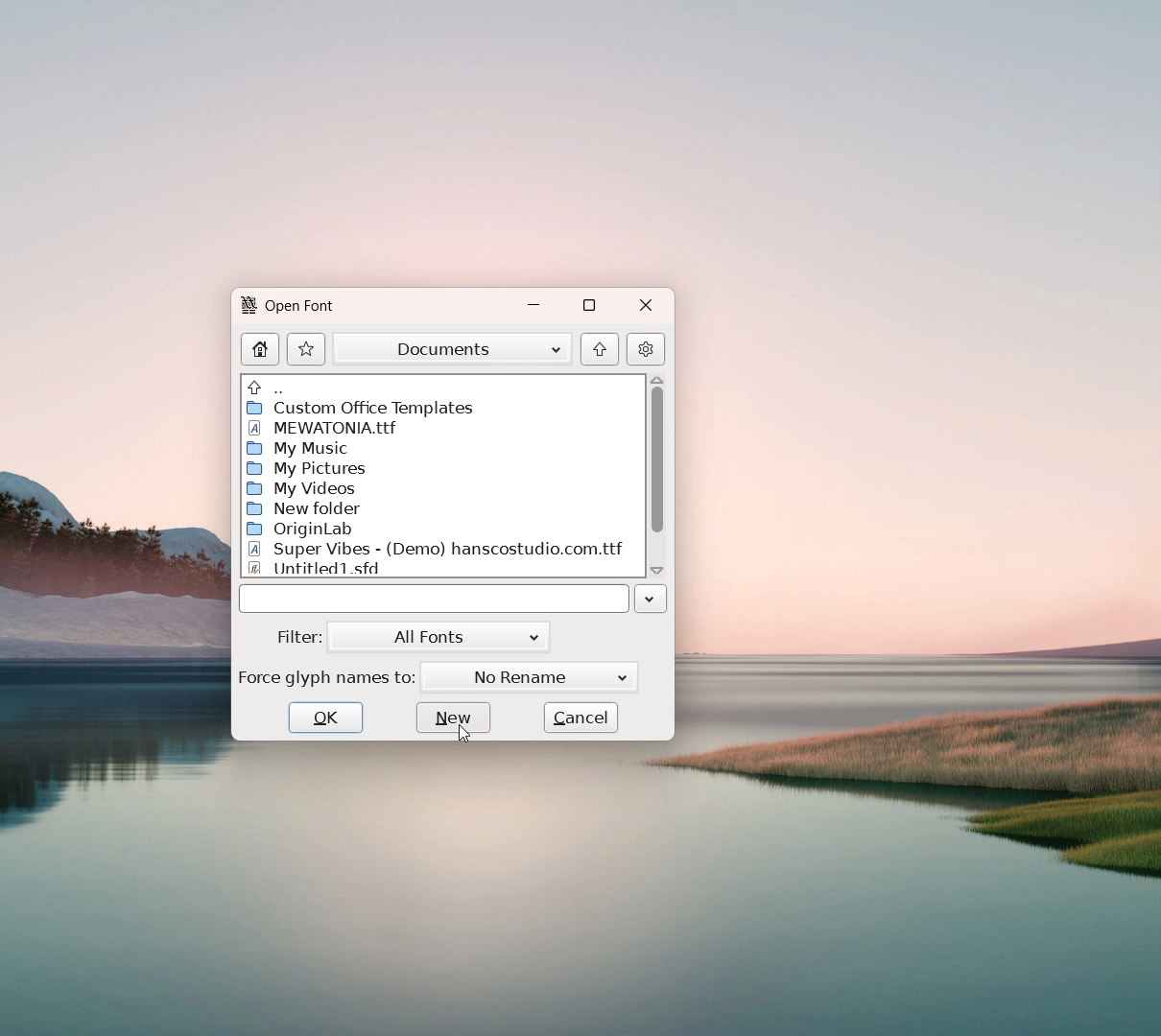 This screenshot has width=1161, height=1036. Describe the element at coordinates (327, 427) in the screenshot. I see `MEWATONIA.ttf` at that location.